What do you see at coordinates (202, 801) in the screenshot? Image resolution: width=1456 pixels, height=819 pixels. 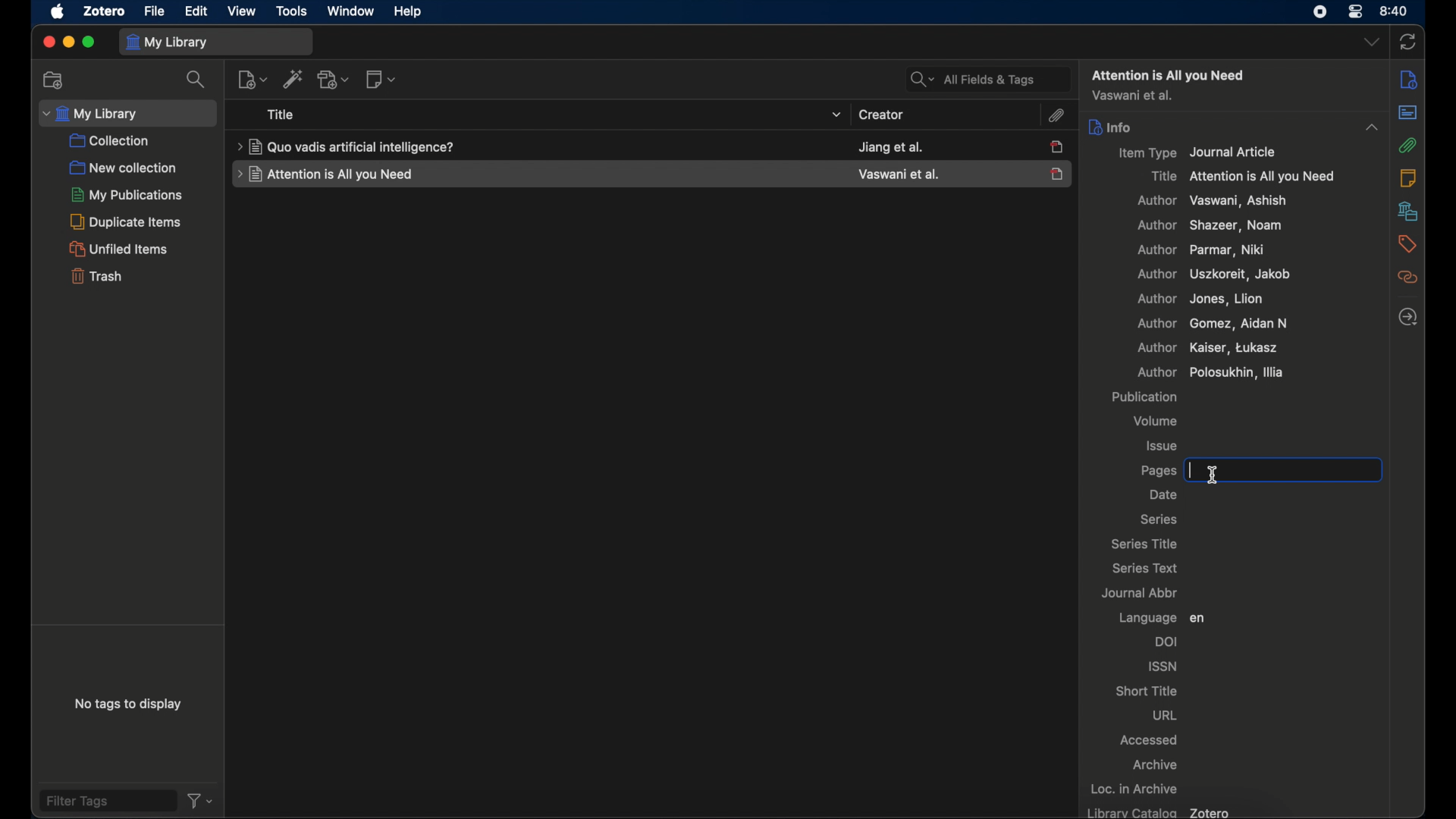 I see `filter dropdown` at bounding box center [202, 801].